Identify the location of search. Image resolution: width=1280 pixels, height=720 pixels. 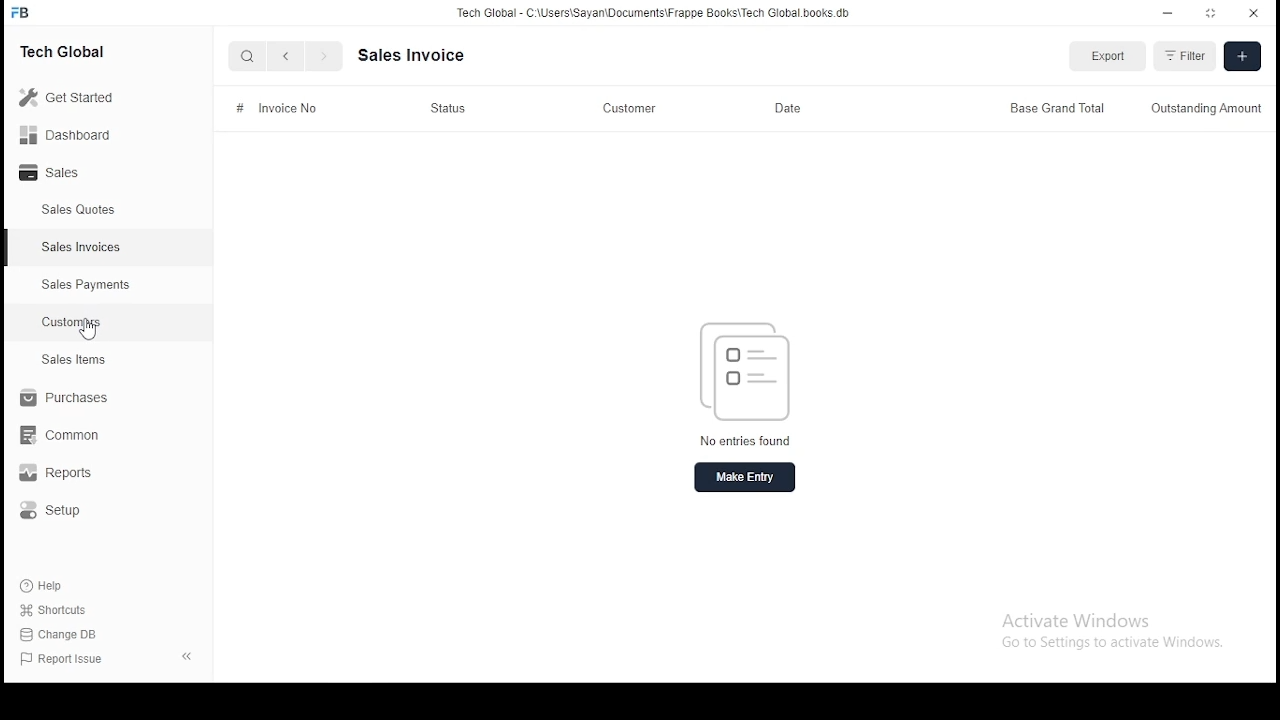
(248, 55).